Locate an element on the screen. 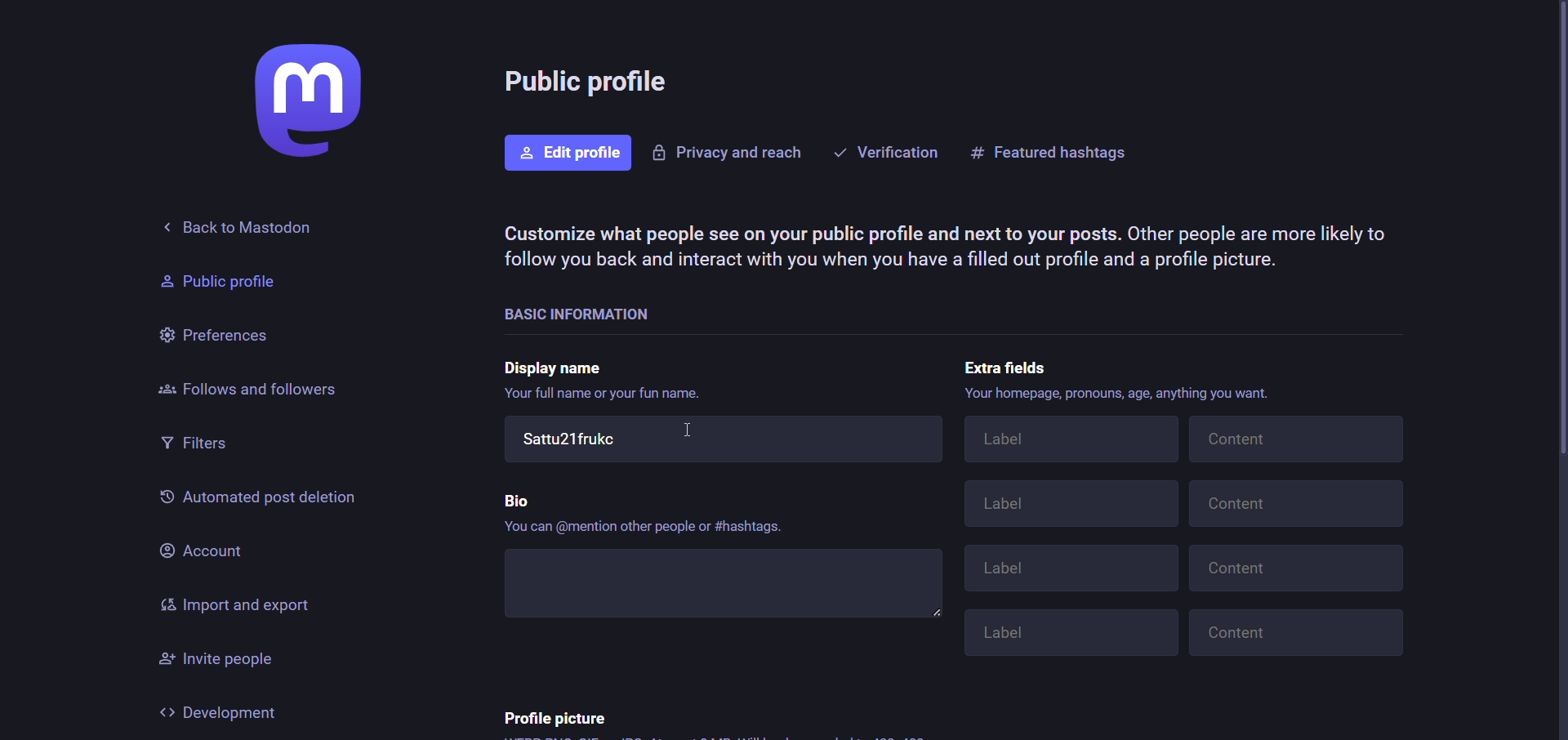  privacy and reacts is located at coordinates (727, 154).